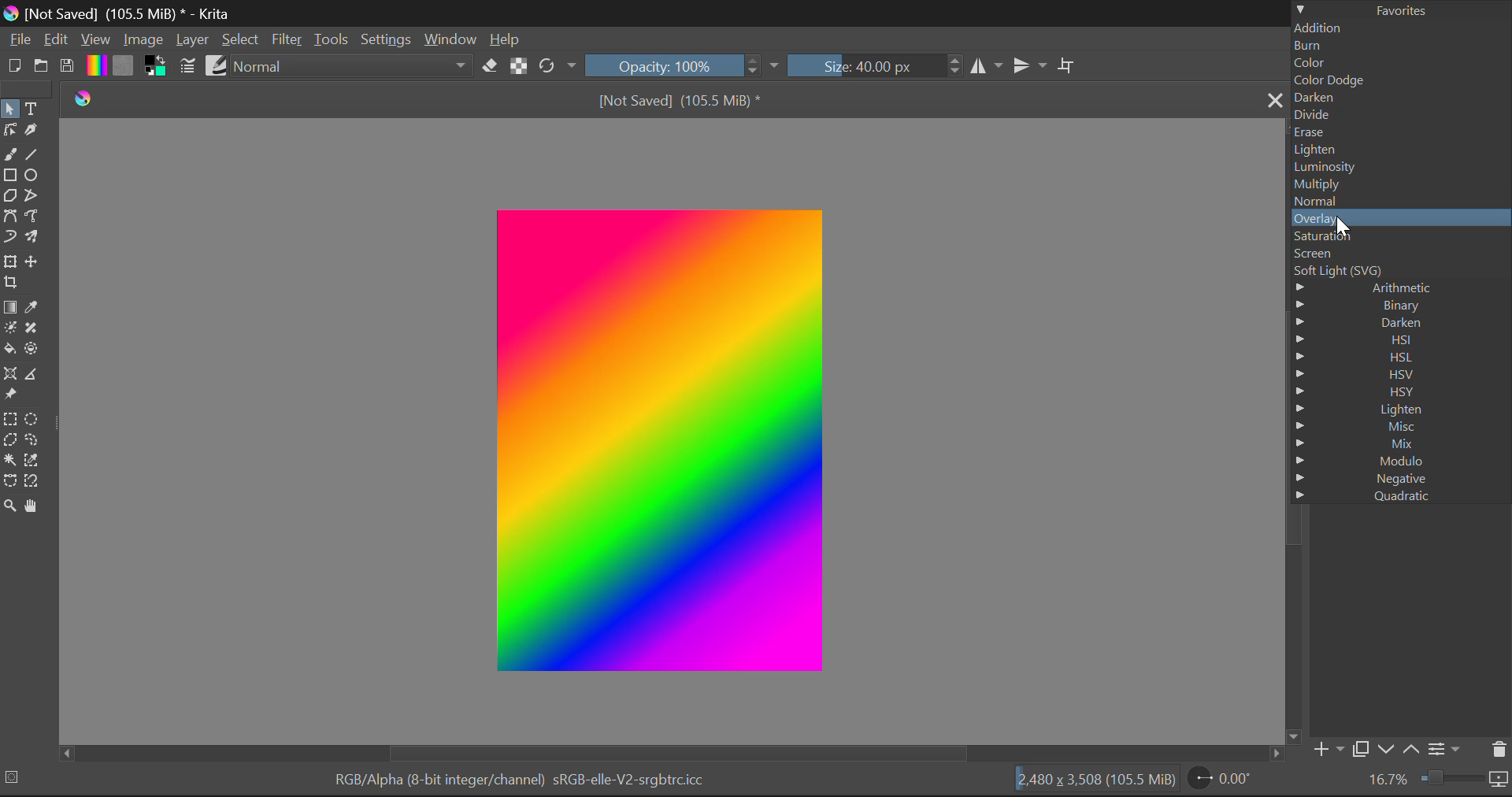  What do you see at coordinates (34, 155) in the screenshot?
I see `Line` at bounding box center [34, 155].